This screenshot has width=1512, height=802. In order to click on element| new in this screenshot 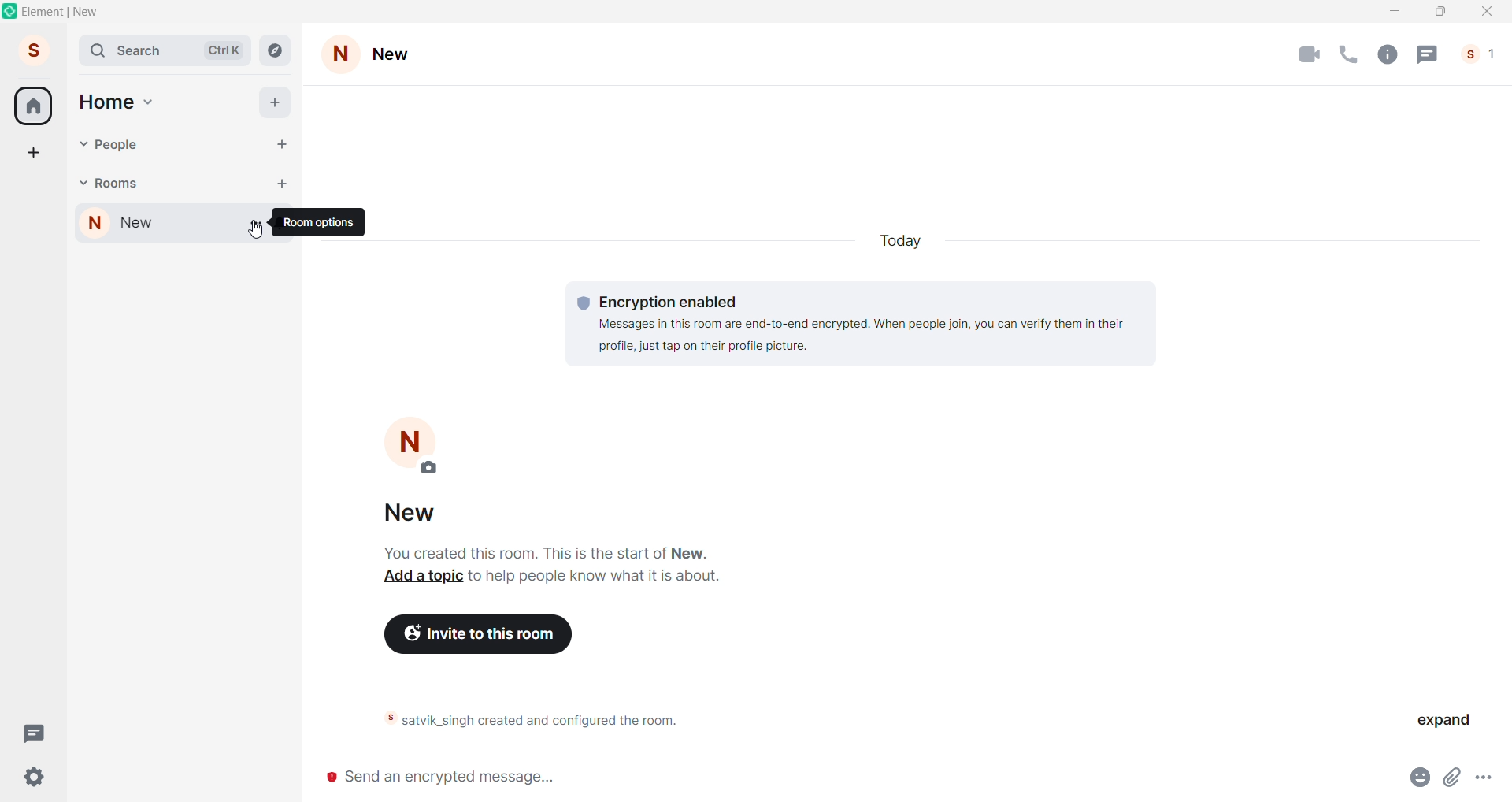, I will do `click(76, 13)`.